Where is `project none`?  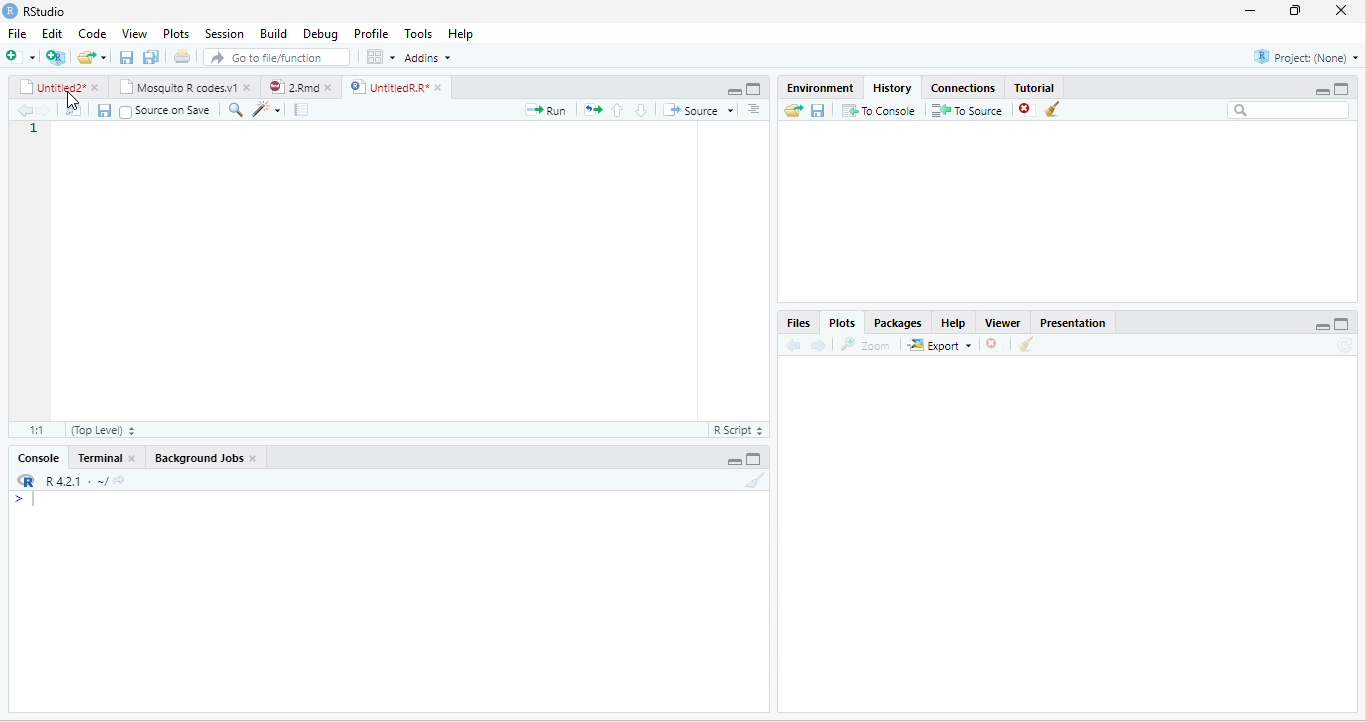 project none is located at coordinates (1295, 58).